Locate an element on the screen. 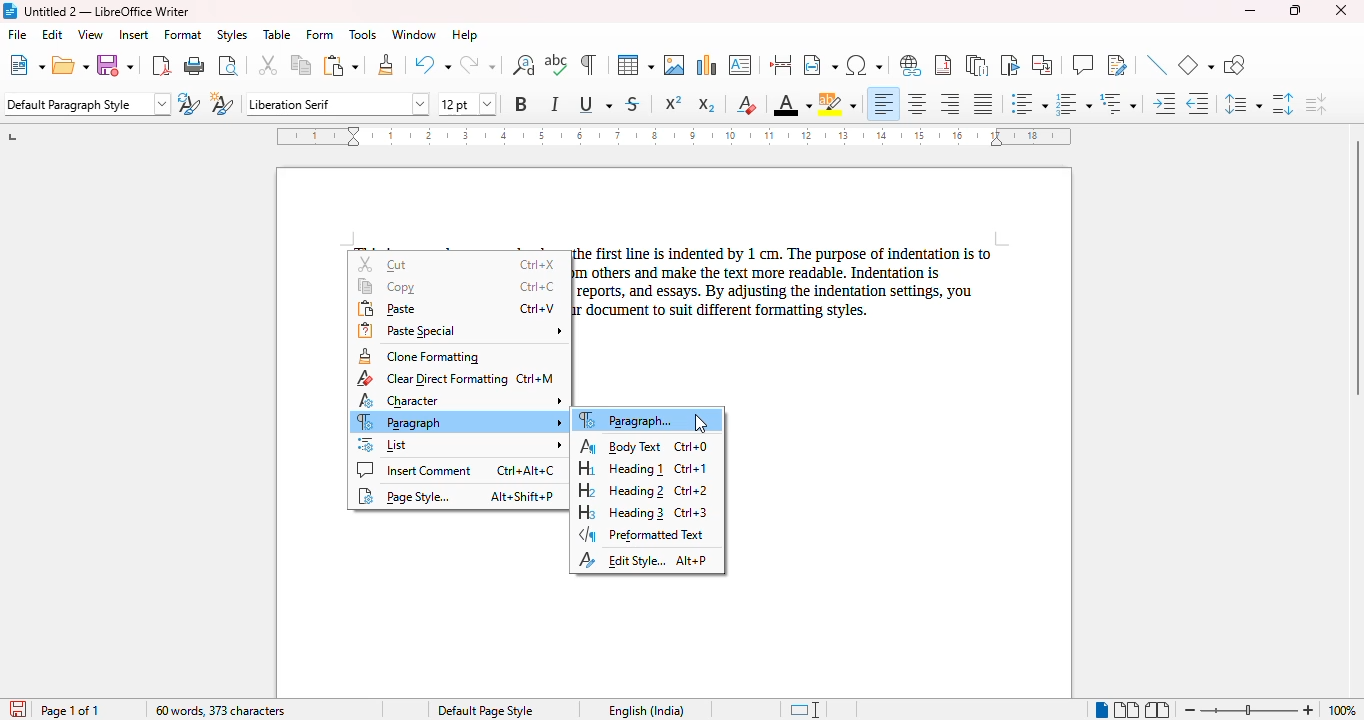  heading 1 is located at coordinates (642, 469).